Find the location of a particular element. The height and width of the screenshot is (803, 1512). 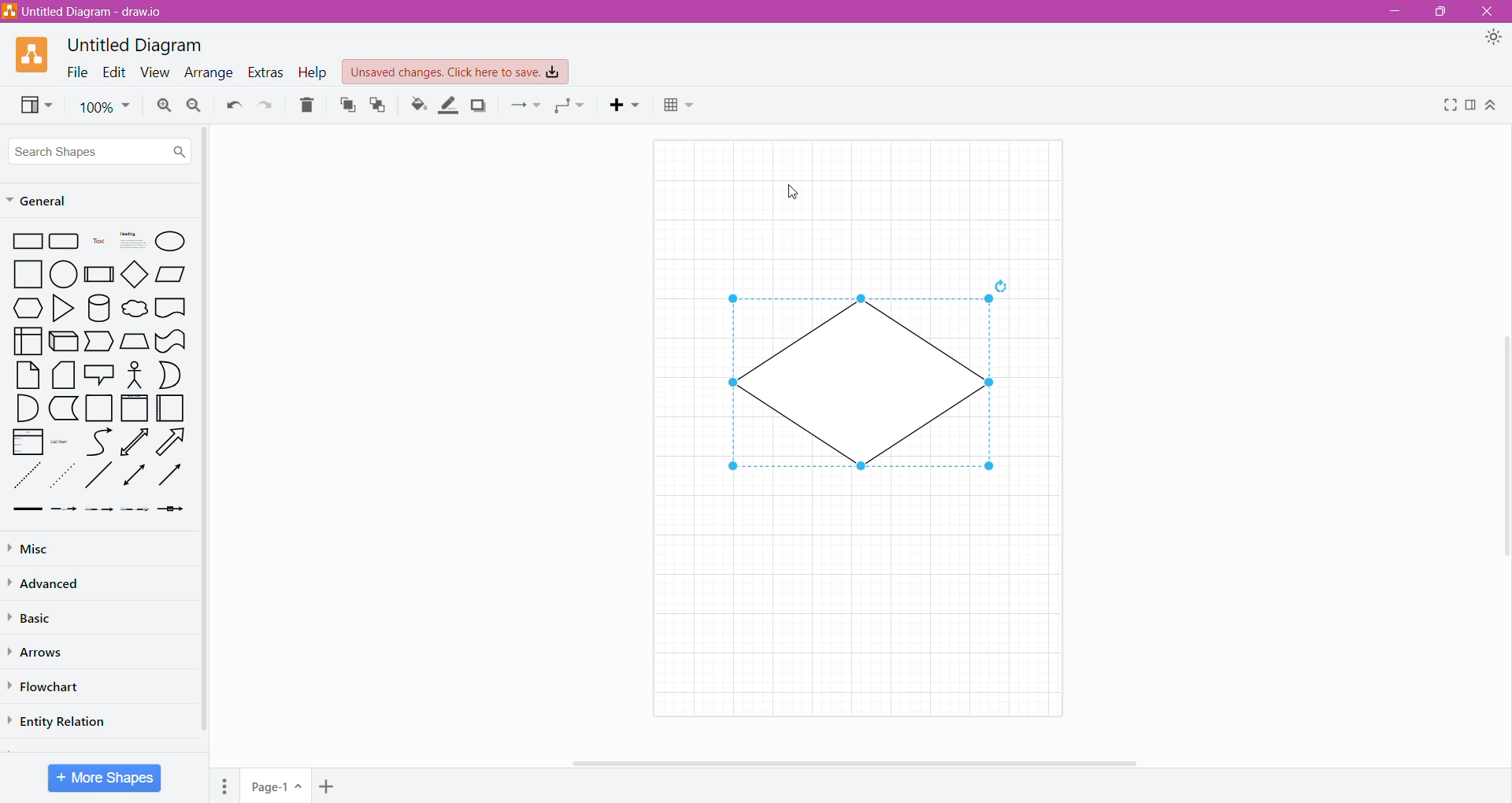

Parallelogram is located at coordinates (172, 274).